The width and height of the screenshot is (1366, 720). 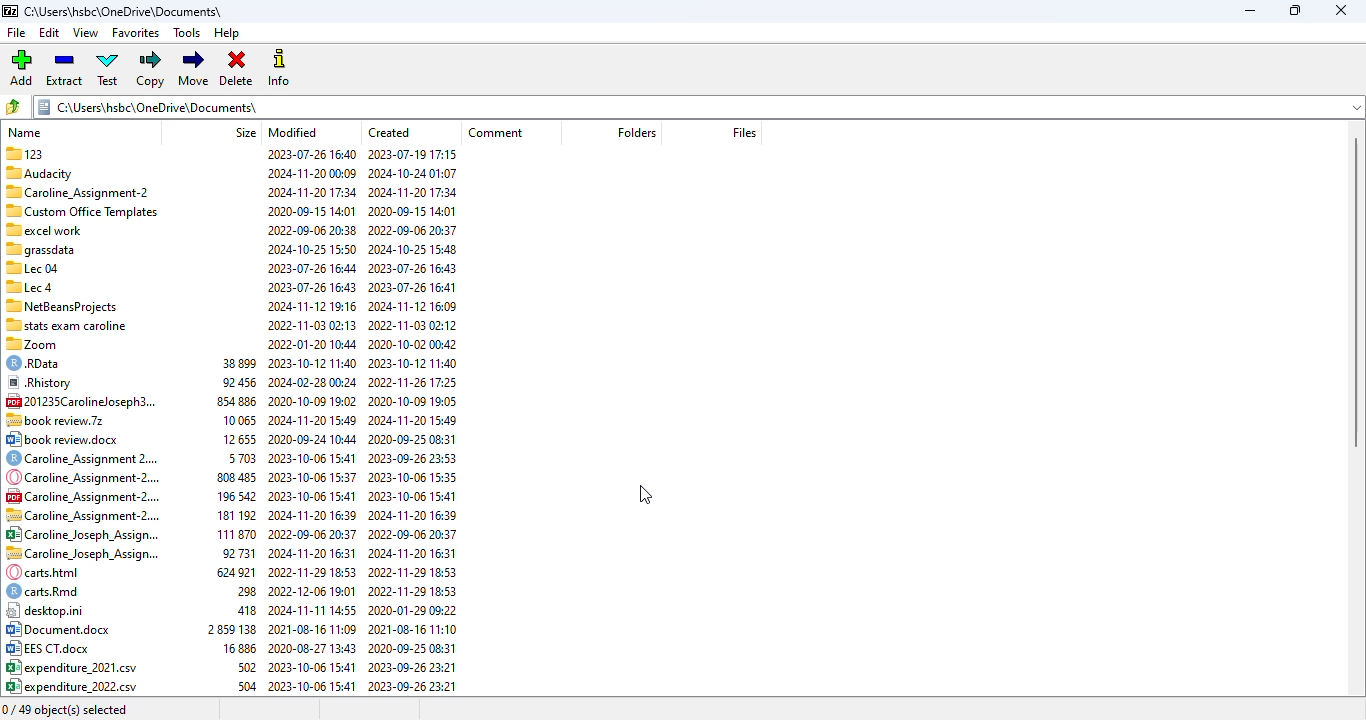 I want to click on modified date & time, so click(x=312, y=421).